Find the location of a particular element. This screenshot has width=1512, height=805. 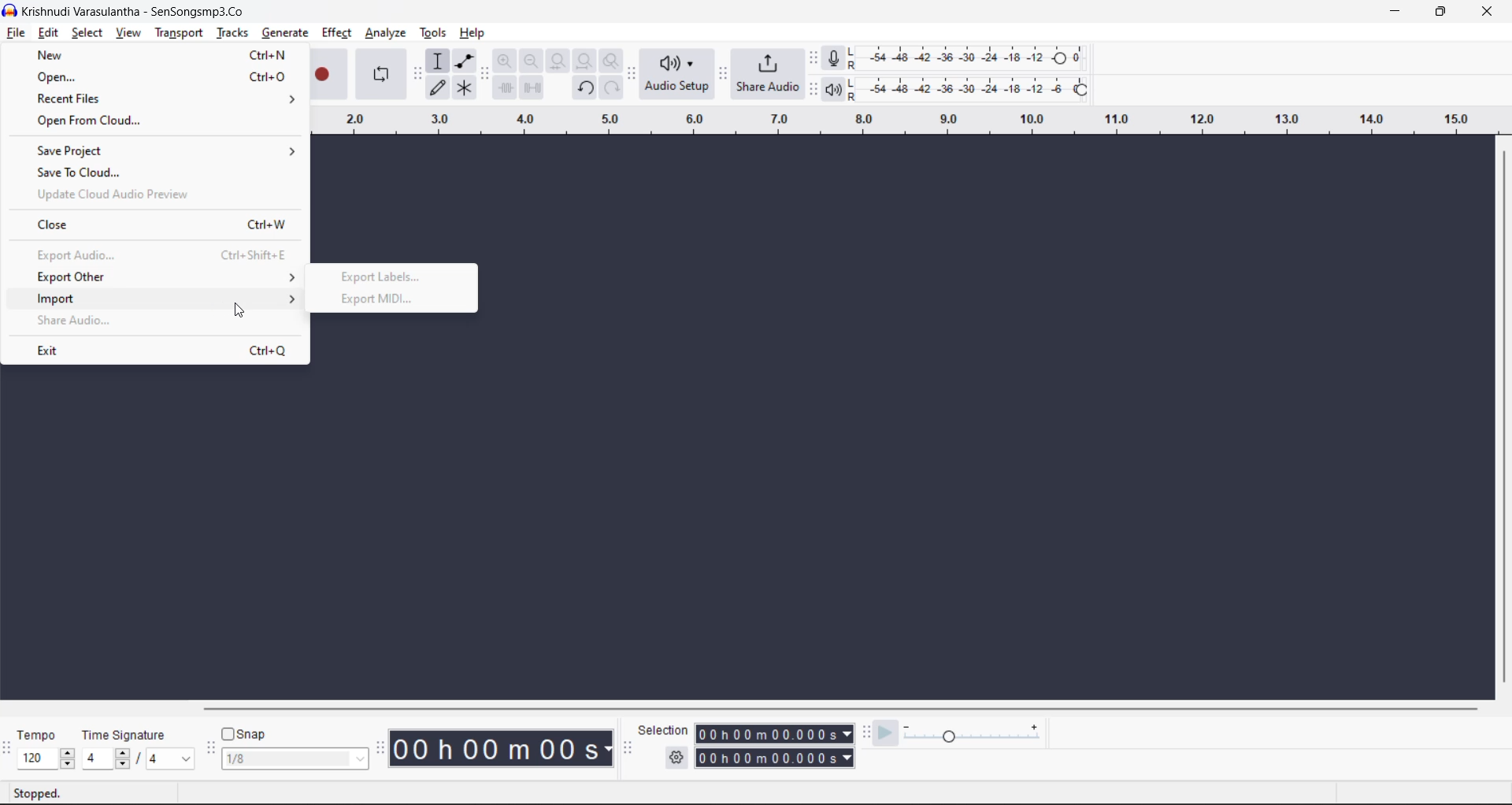

save to cloud is located at coordinates (155, 173).